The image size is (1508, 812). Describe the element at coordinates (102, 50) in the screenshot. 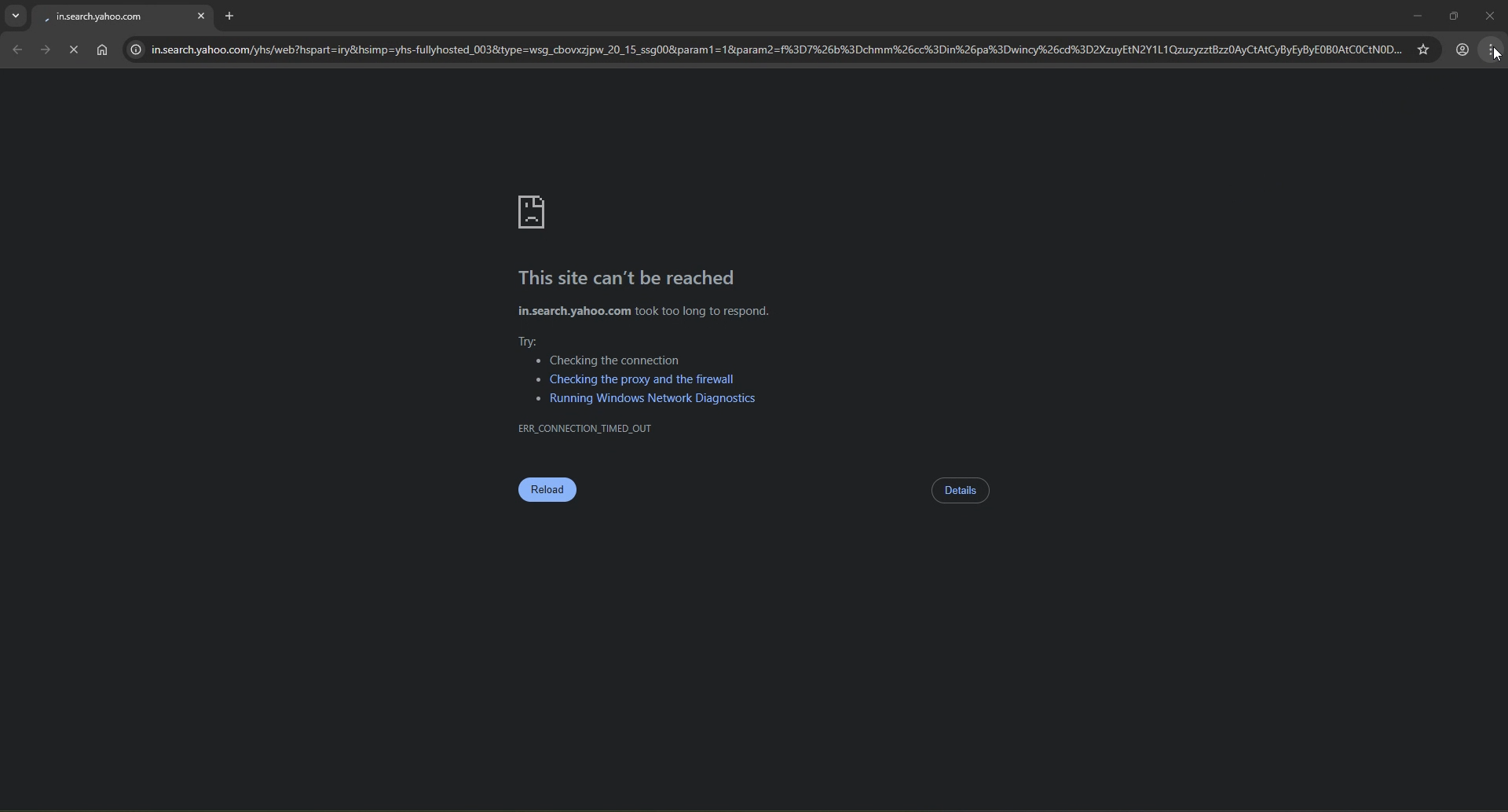

I see `Home Page` at that location.